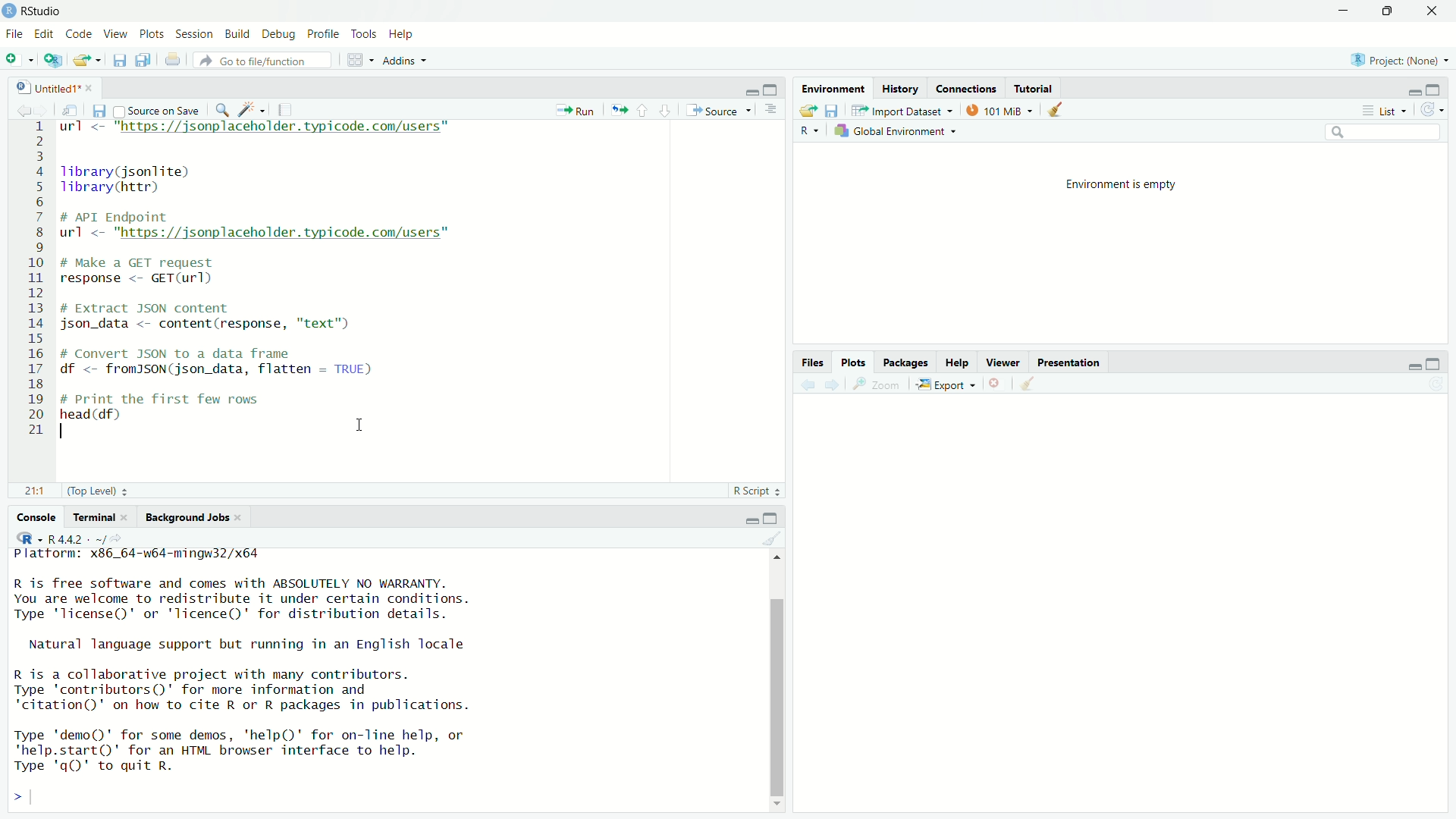 This screenshot has width=1456, height=819. Describe the element at coordinates (1071, 363) in the screenshot. I see `Presentation` at that location.